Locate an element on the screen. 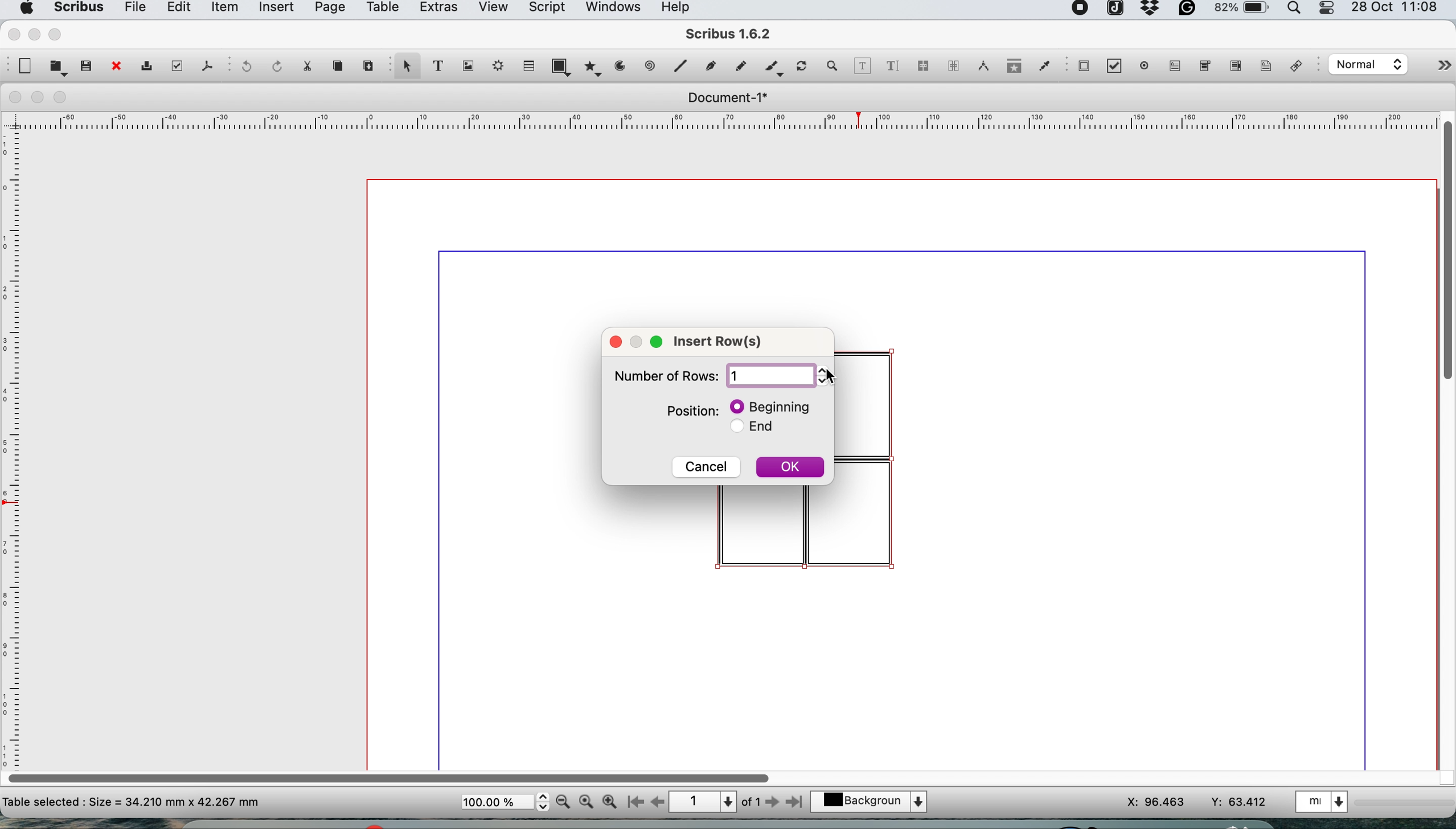 This screenshot has width=1456, height=829. position is located at coordinates (693, 411).